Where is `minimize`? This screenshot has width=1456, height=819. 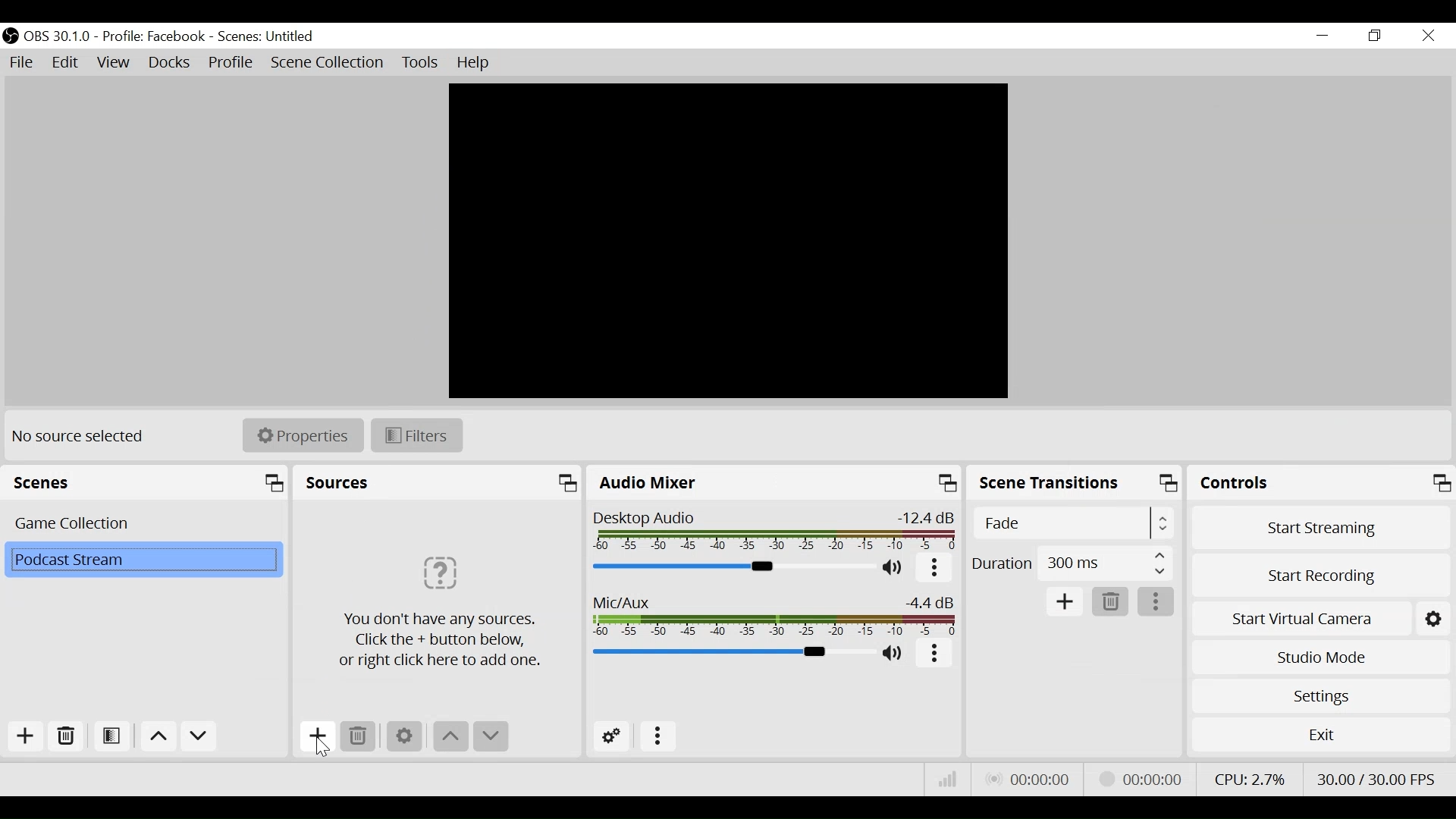
minimize is located at coordinates (1322, 36).